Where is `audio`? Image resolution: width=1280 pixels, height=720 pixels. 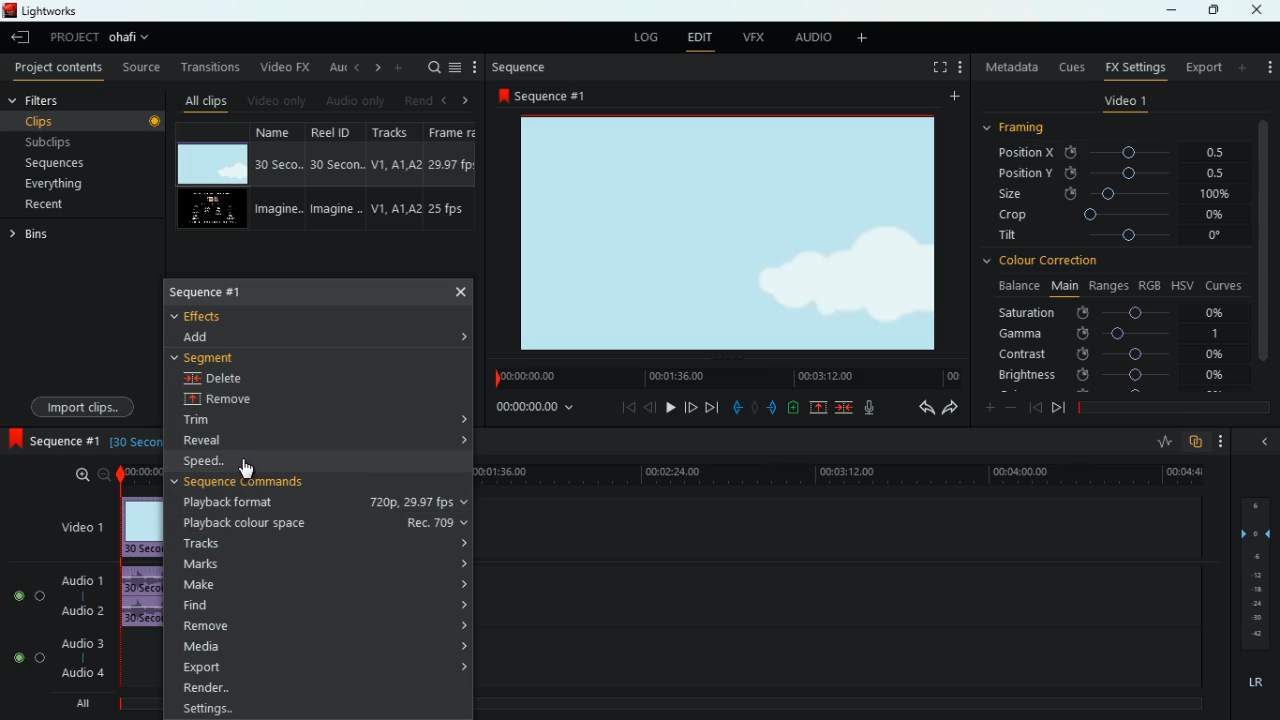 audio is located at coordinates (810, 38).